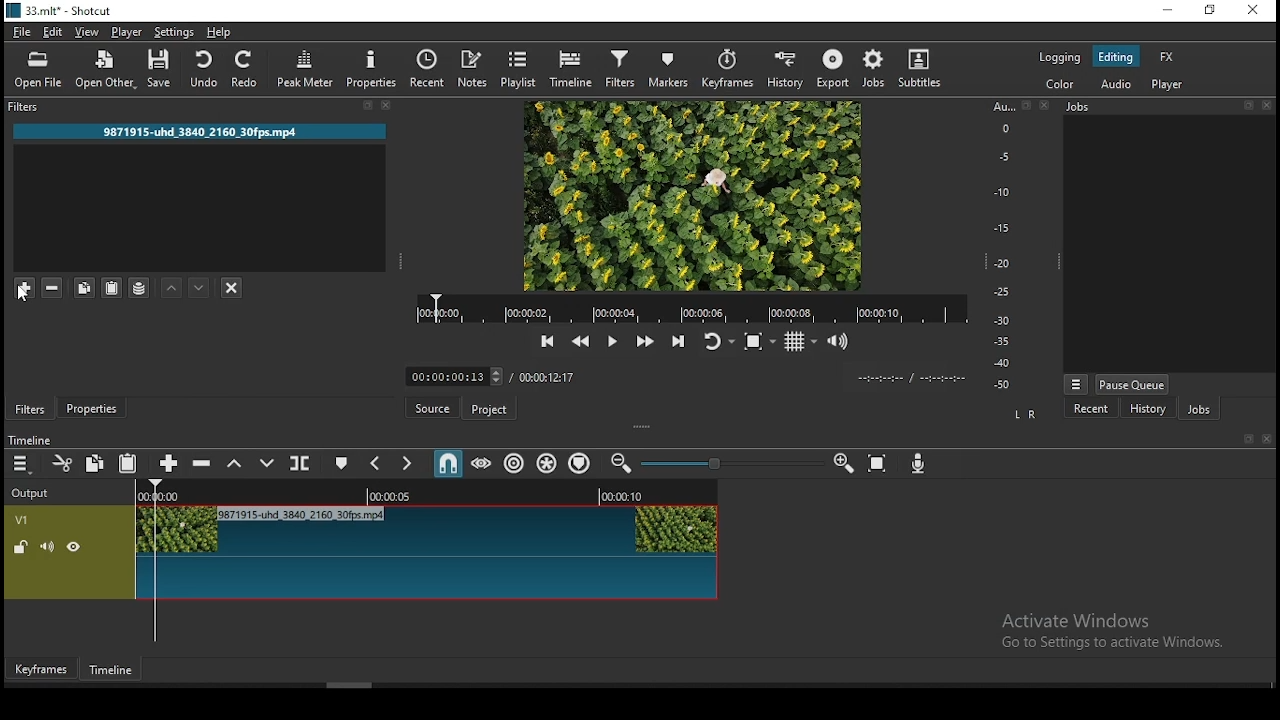 This screenshot has width=1280, height=720. Describe the element at coordinates (127, 465) in the screenshot. I see `paste` at that location.